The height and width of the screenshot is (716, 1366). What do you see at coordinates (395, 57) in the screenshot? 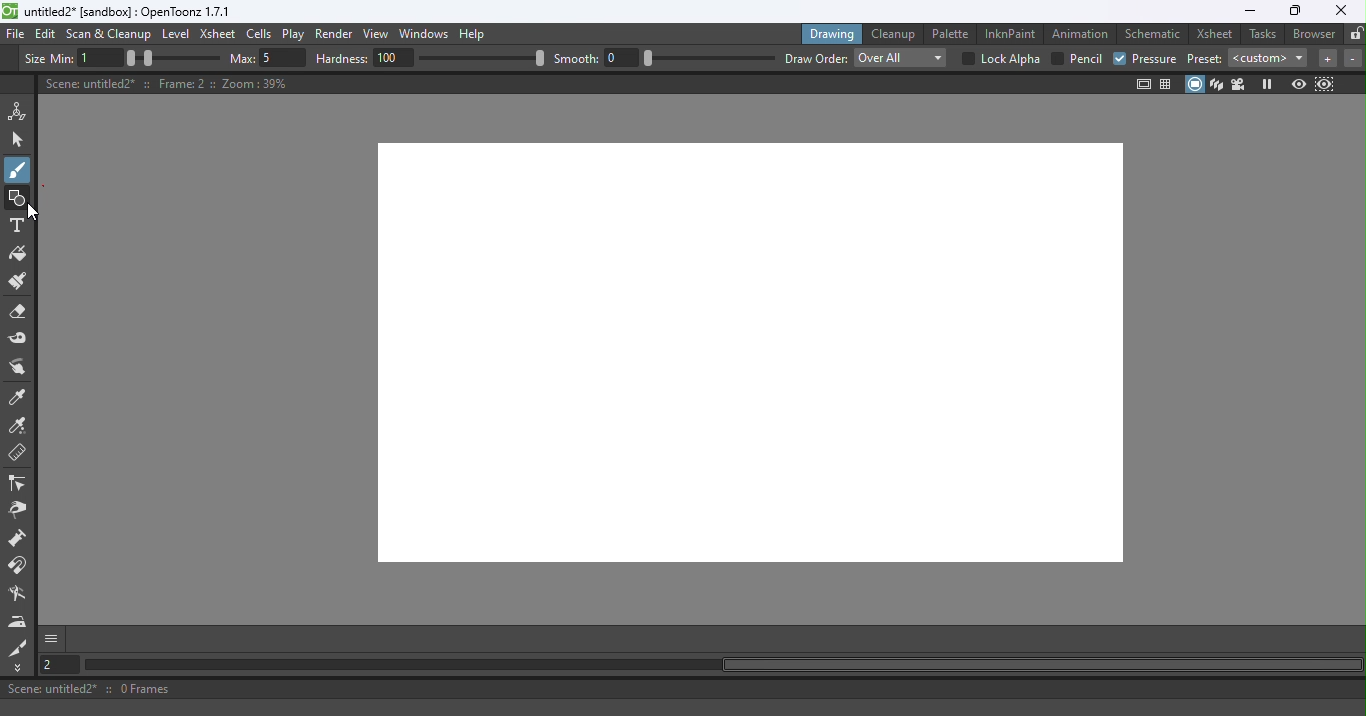
I see `100` at bounding box center [395, 57].